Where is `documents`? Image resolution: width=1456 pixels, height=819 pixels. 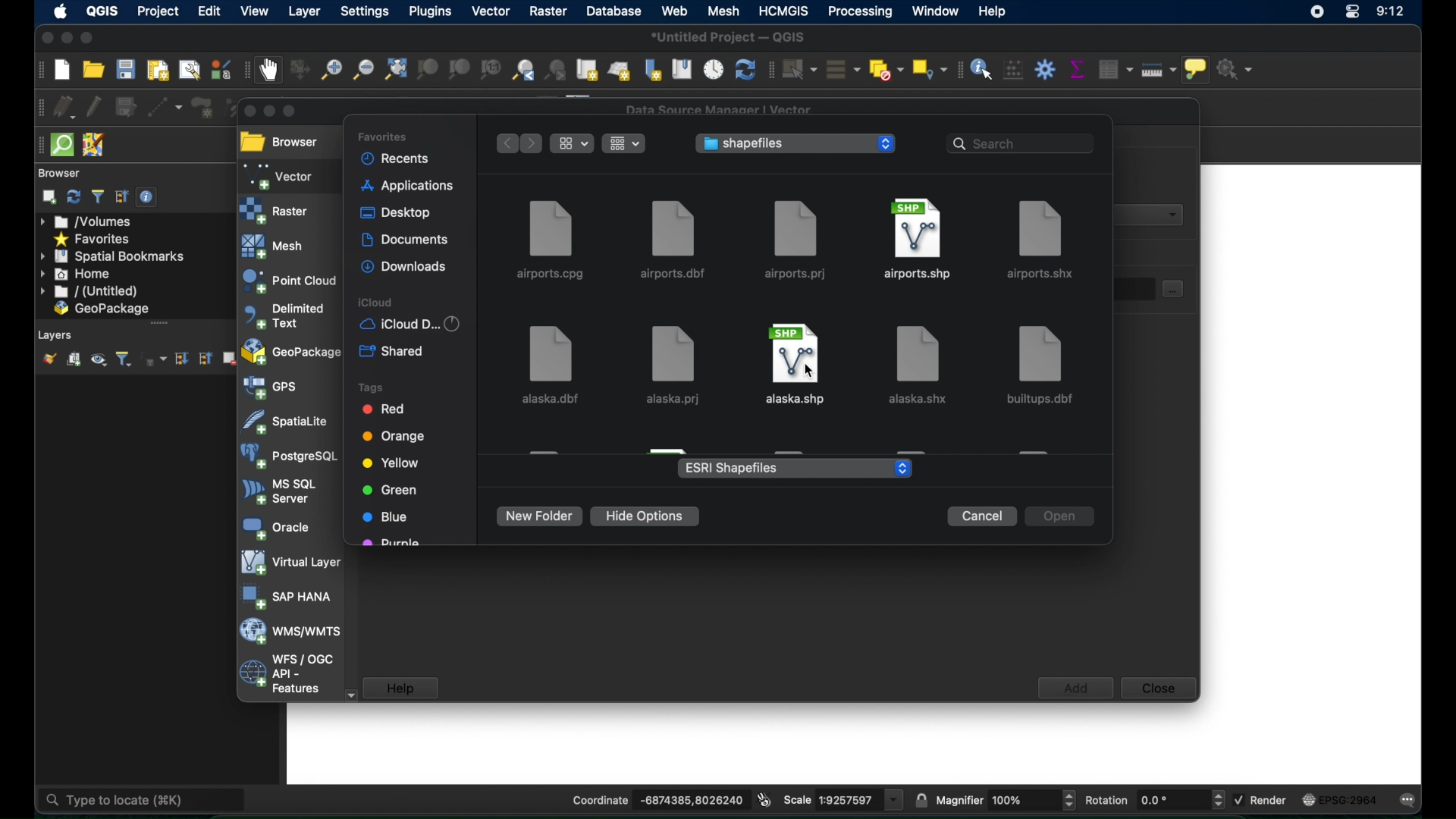
documents is located at coordinates (406, 240).